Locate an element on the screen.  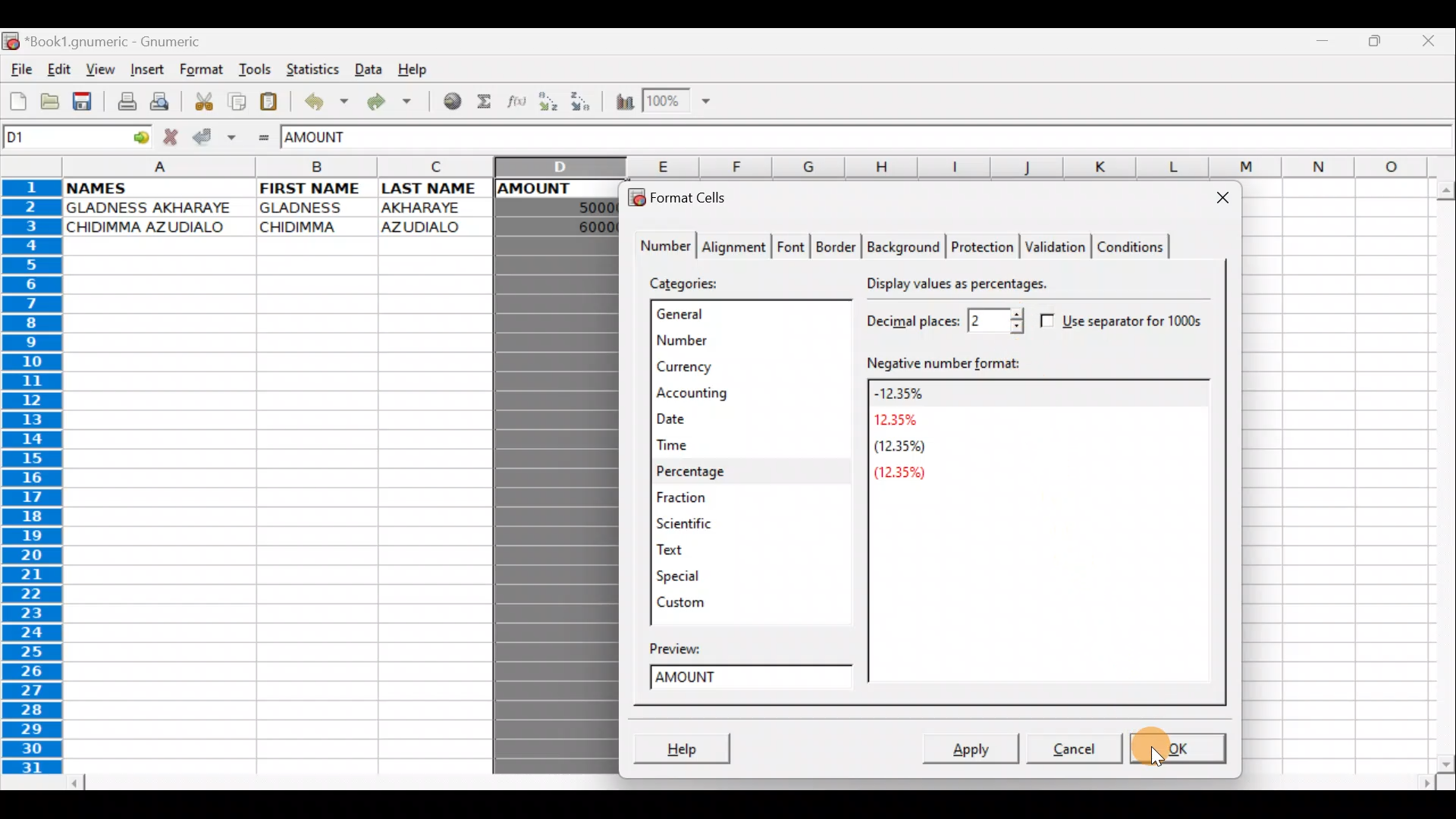
Formula bar is located at coordinates (923, 137).